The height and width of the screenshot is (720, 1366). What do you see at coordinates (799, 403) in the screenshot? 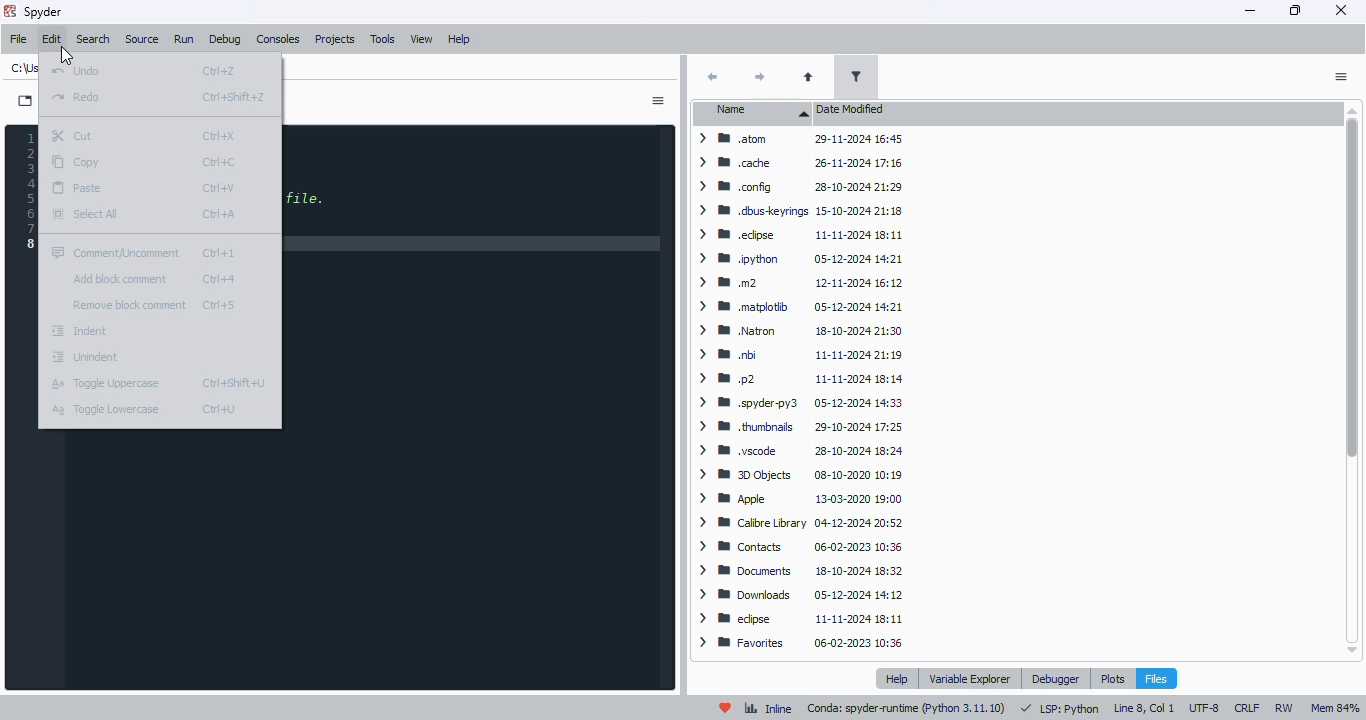
I see `> WM spyderpy3 05-12-2024 14:33` at bounding box center [799, 403].